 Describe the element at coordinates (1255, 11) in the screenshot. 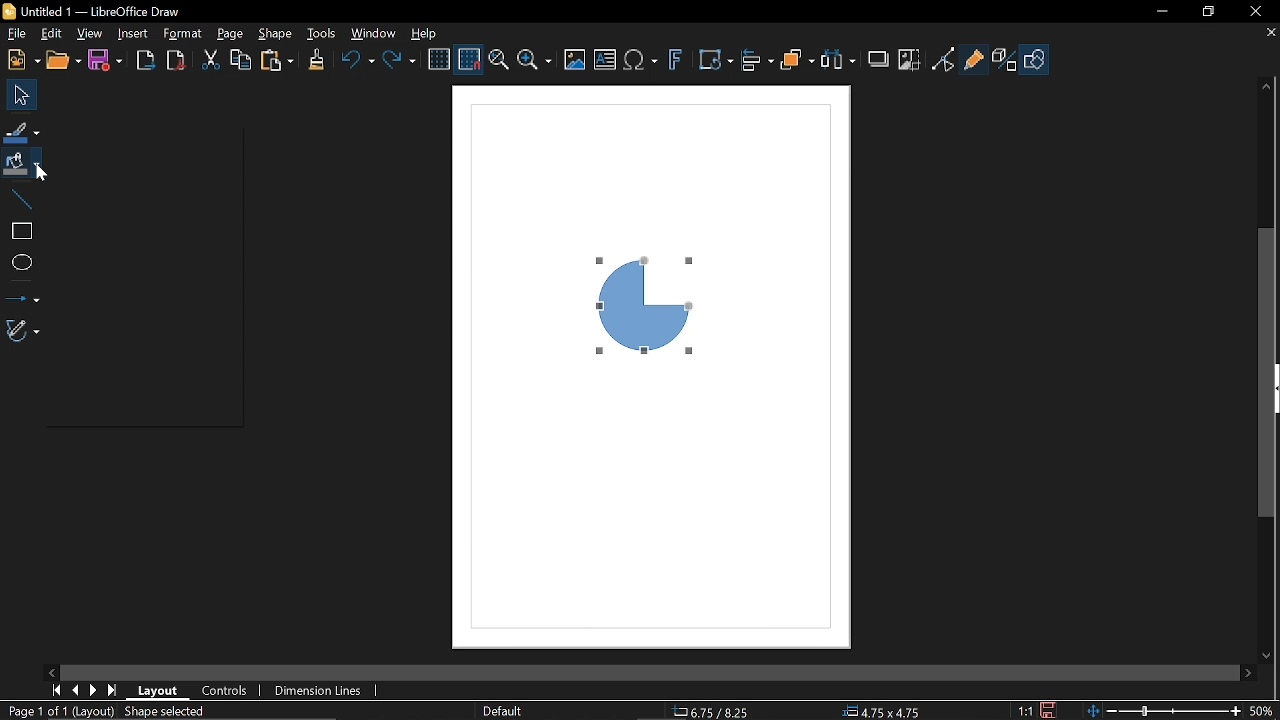

I see `Close` at that location.